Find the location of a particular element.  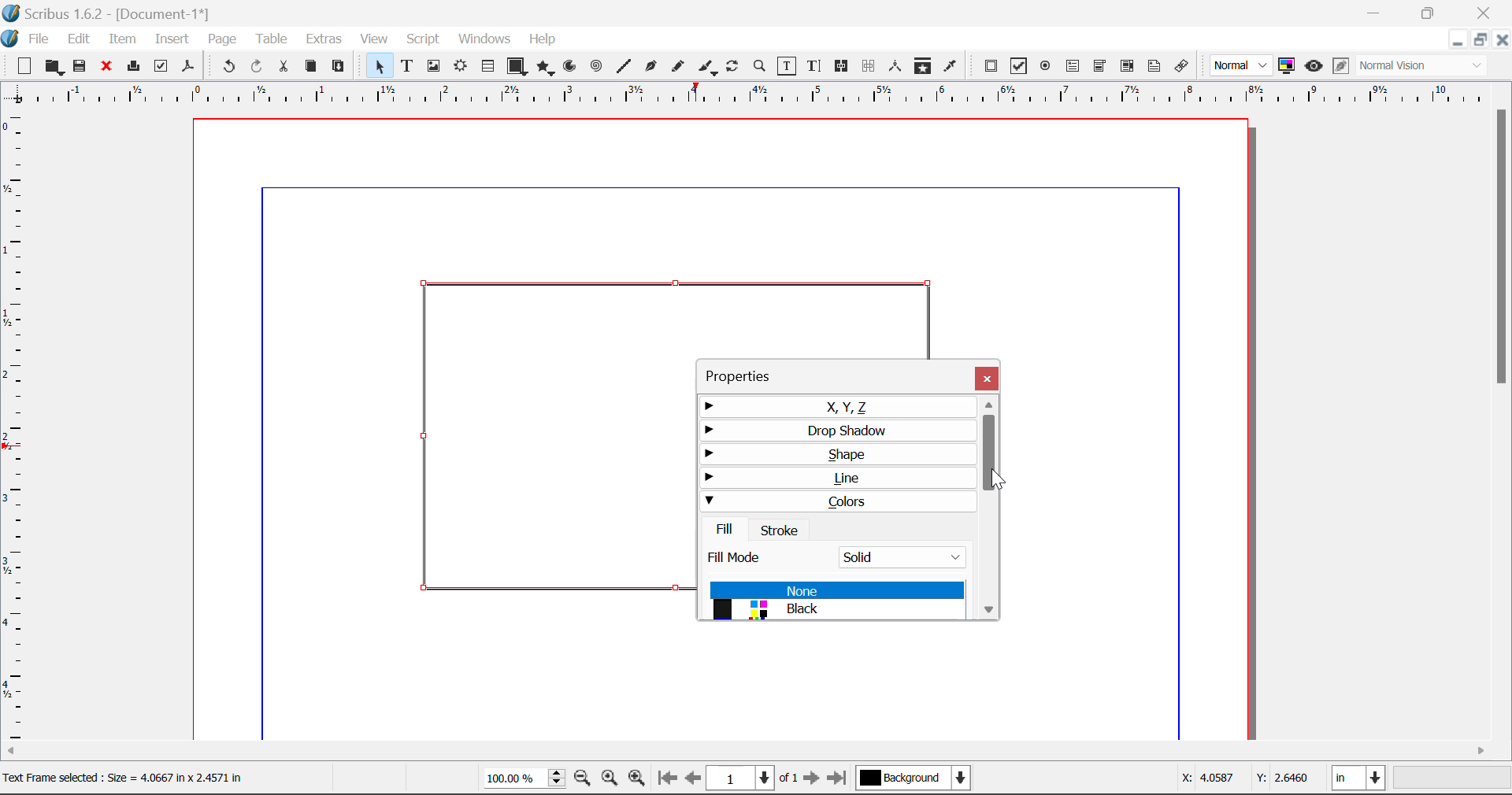

Background is located at coordinates (913, 779).